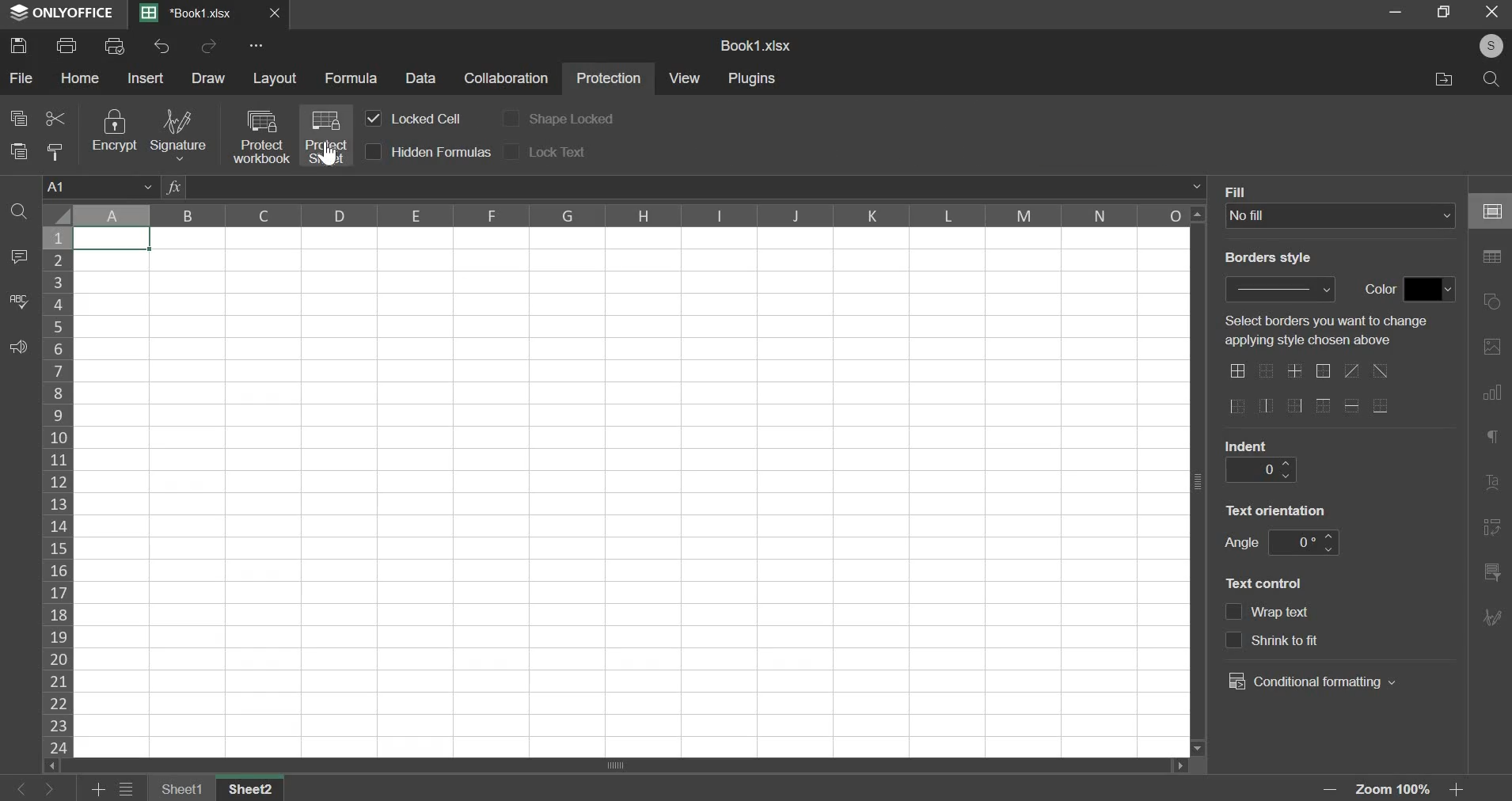 This screenshot has width=1512, height=801. I want to click on color, so click(1377, 290).